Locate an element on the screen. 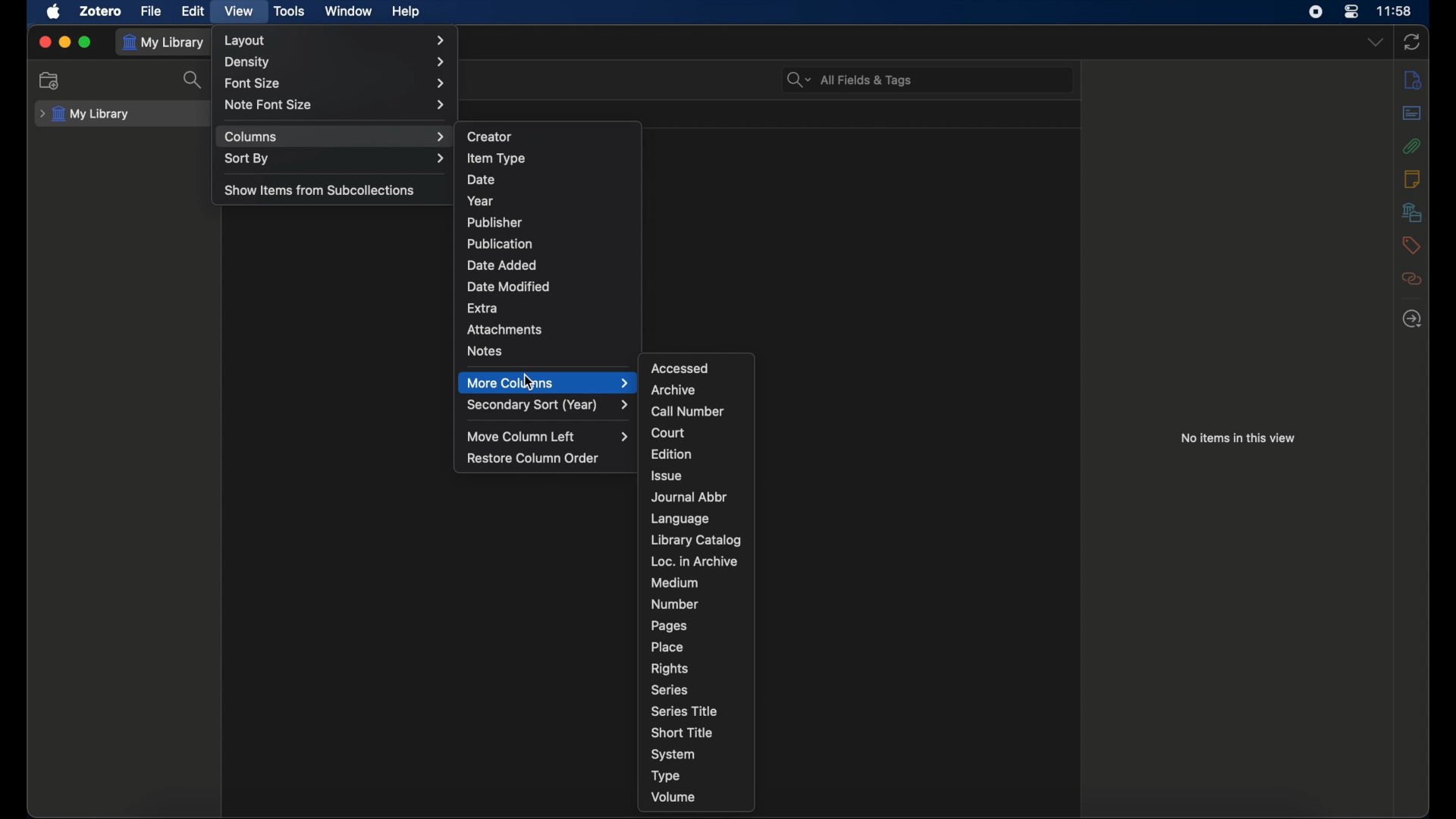 This screenshot has width=1456, height=819. secondary sort is located at coordinates (547, 404).